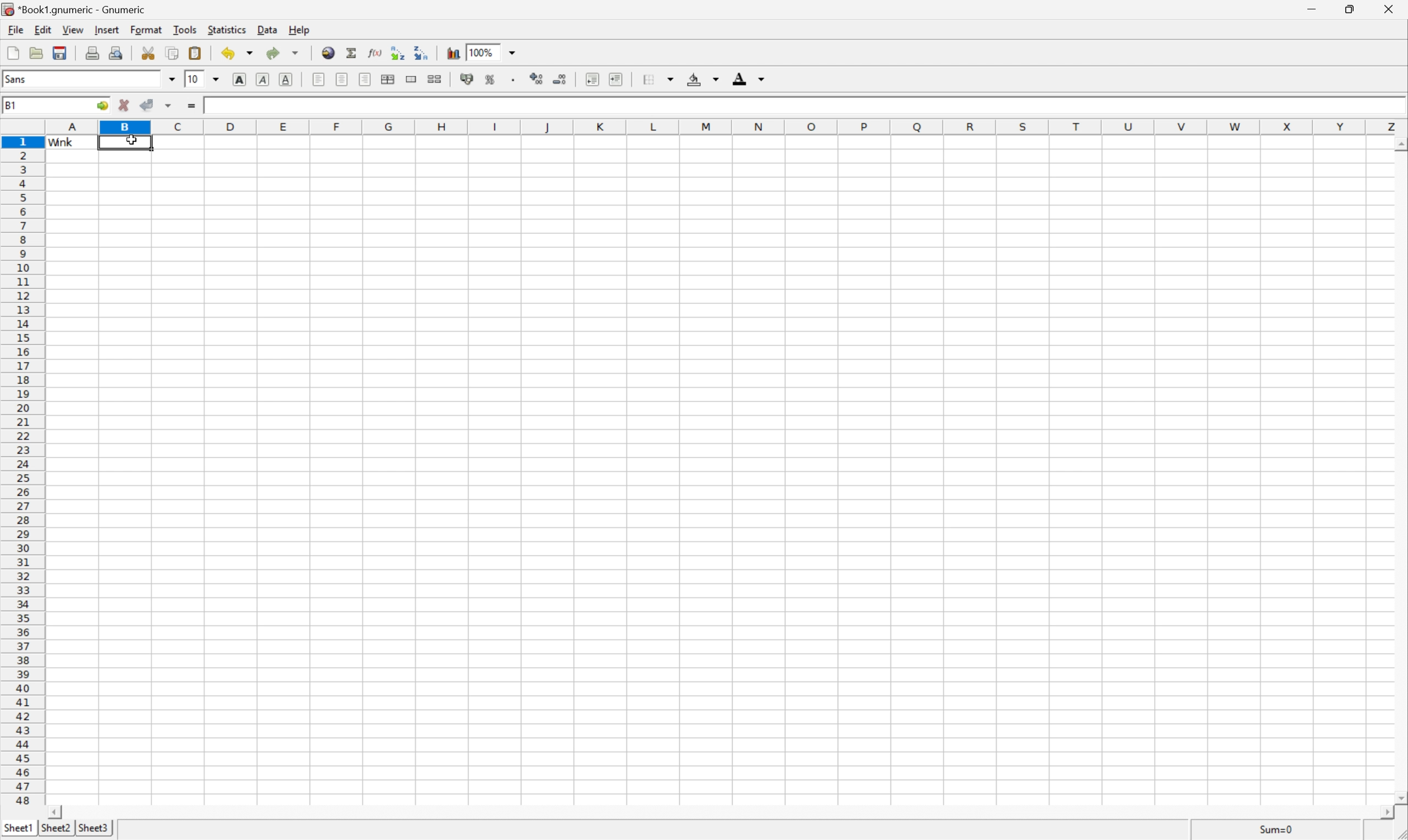 Image resolution: width=1408 pixels, height=840 pixels. I want to click on edit function in current cell, so click(375, 52).